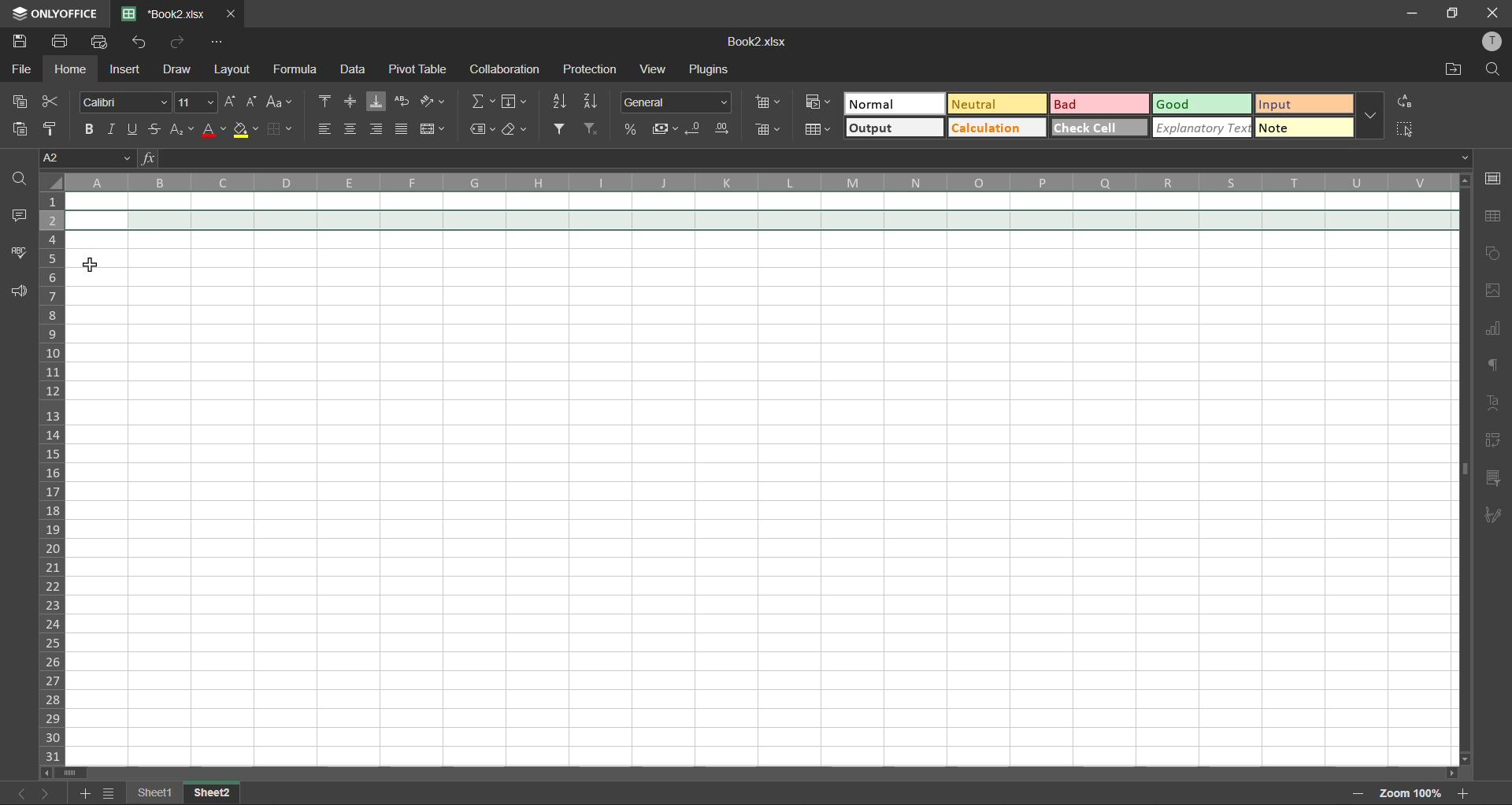 The image size is (1512, 805). I want to click on increment size, so click(231, 102).